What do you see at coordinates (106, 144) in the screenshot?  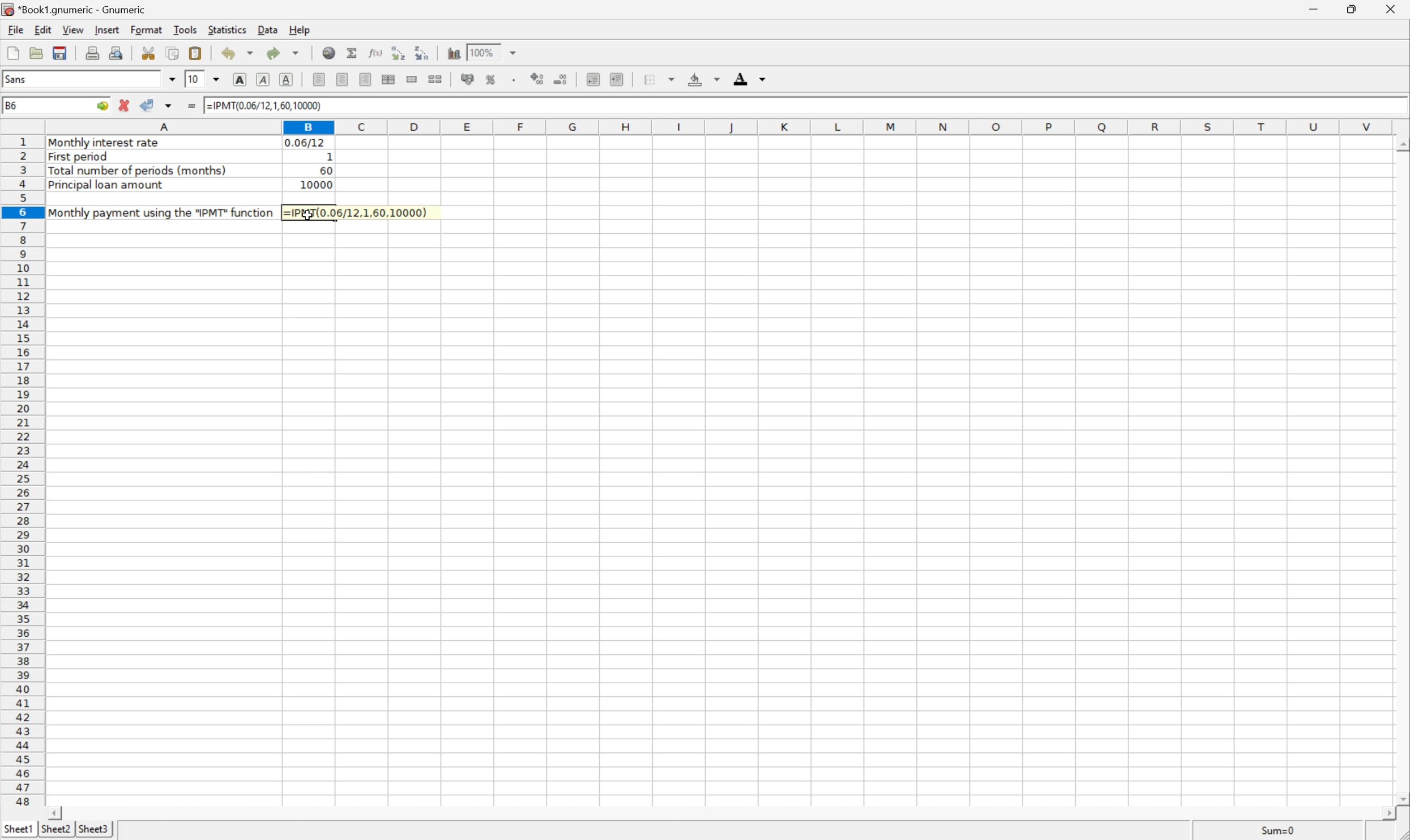 I see `Monthly interest rate` at bounding box center [106, 144].